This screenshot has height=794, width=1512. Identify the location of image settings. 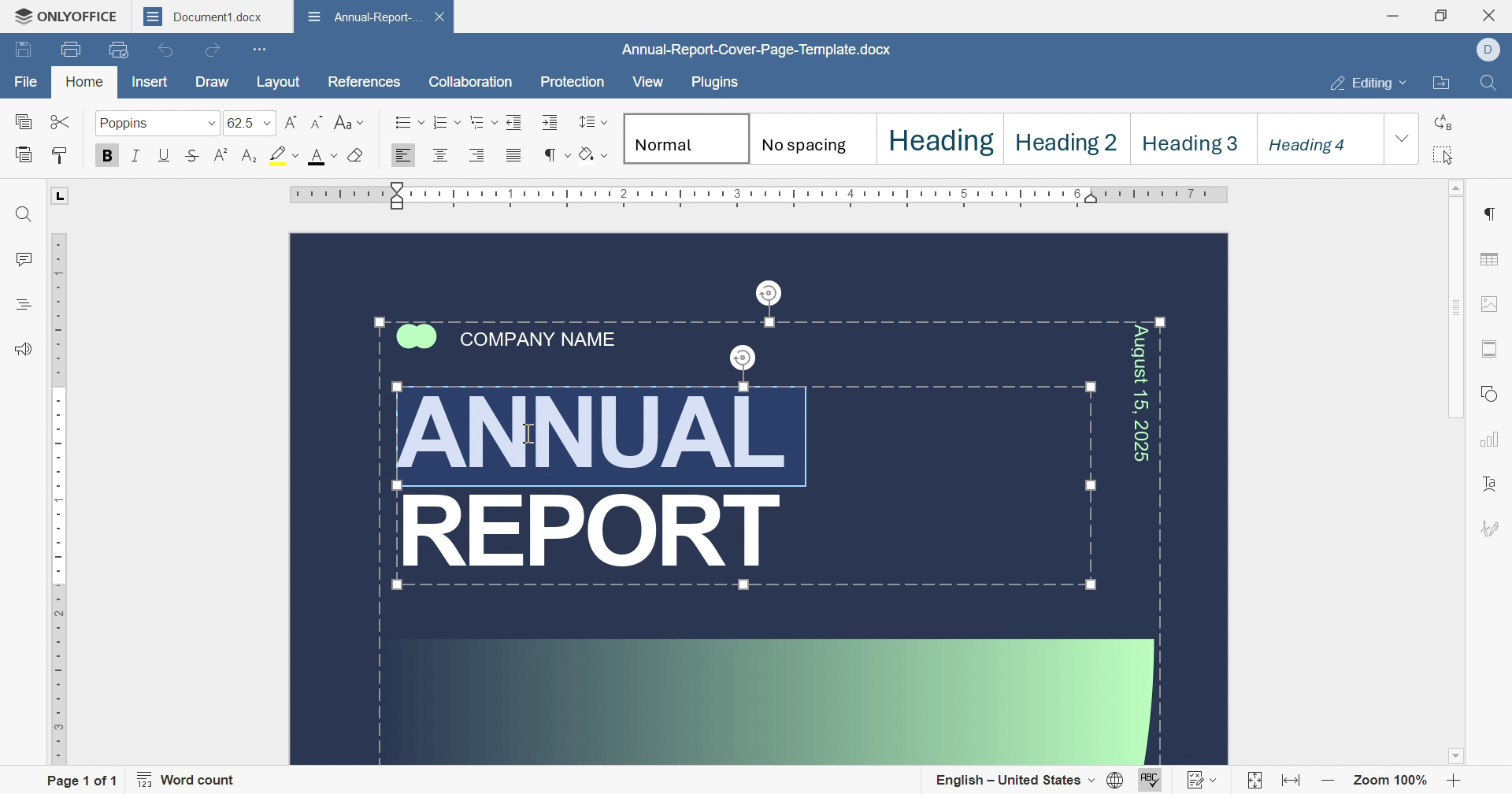
(1493, 304).